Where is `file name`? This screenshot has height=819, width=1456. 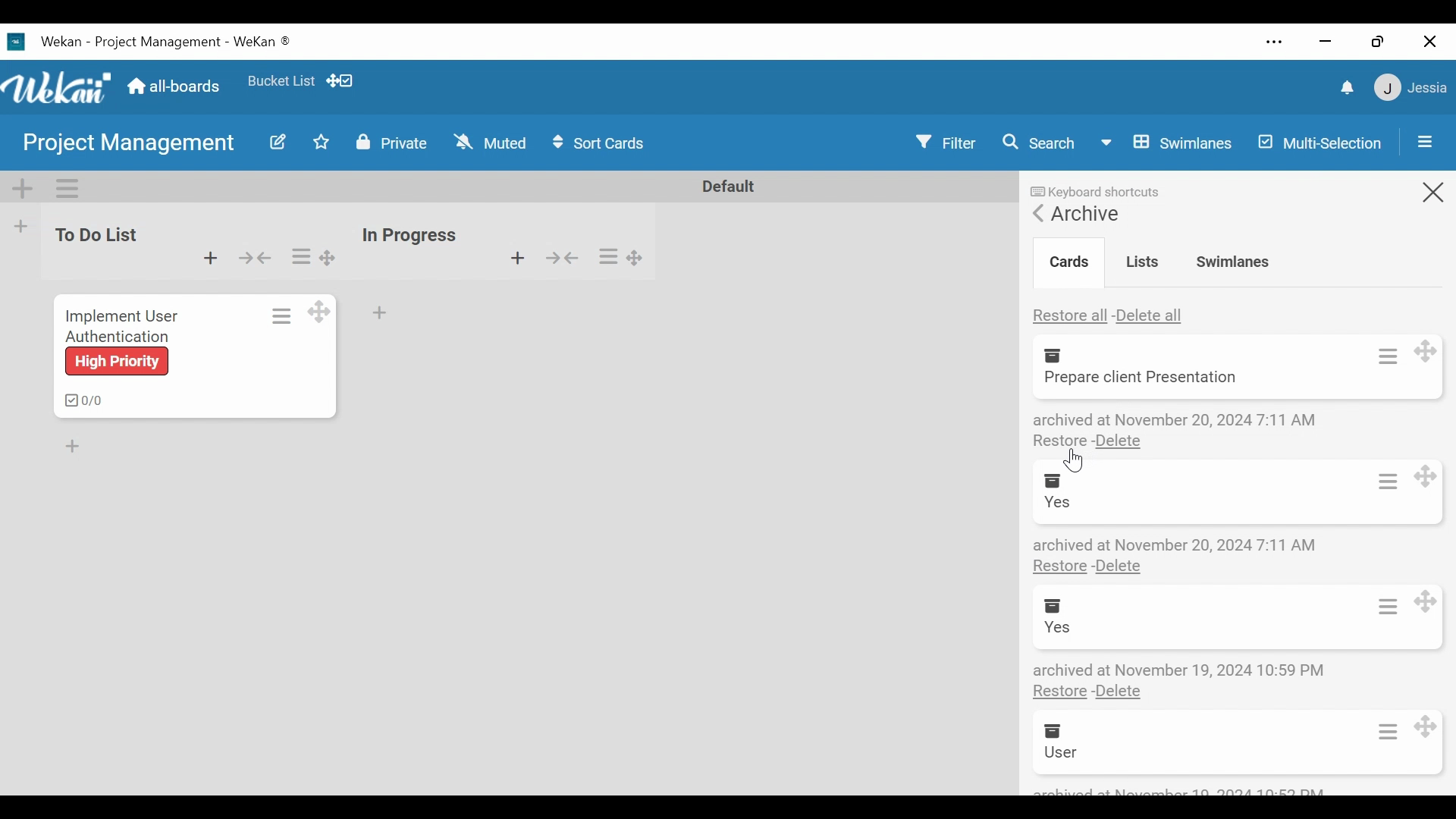
file name is located at coordinates (1140, 375).